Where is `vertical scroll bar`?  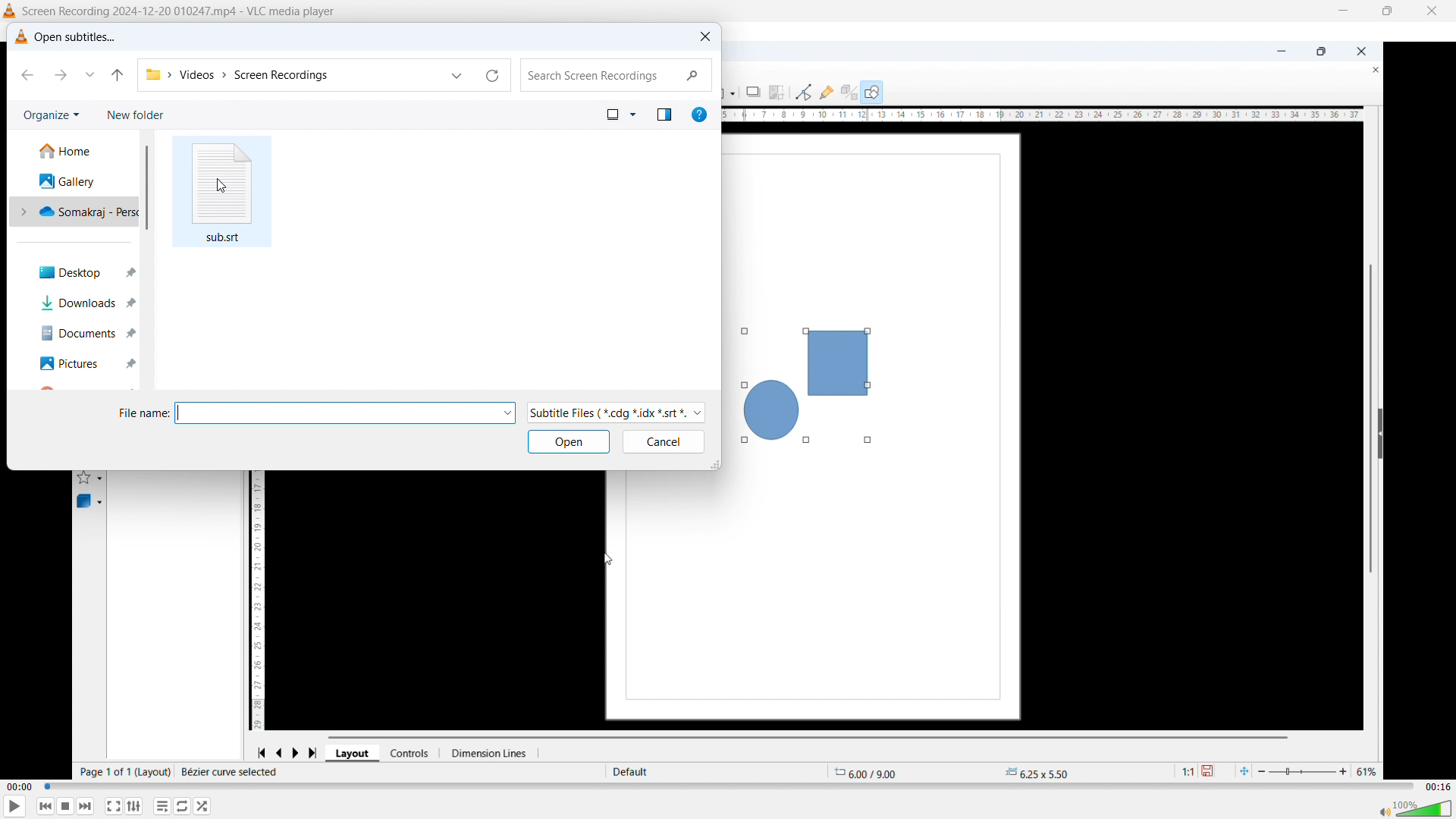 vertical scroll bar is located at coordinates (1369, 409).